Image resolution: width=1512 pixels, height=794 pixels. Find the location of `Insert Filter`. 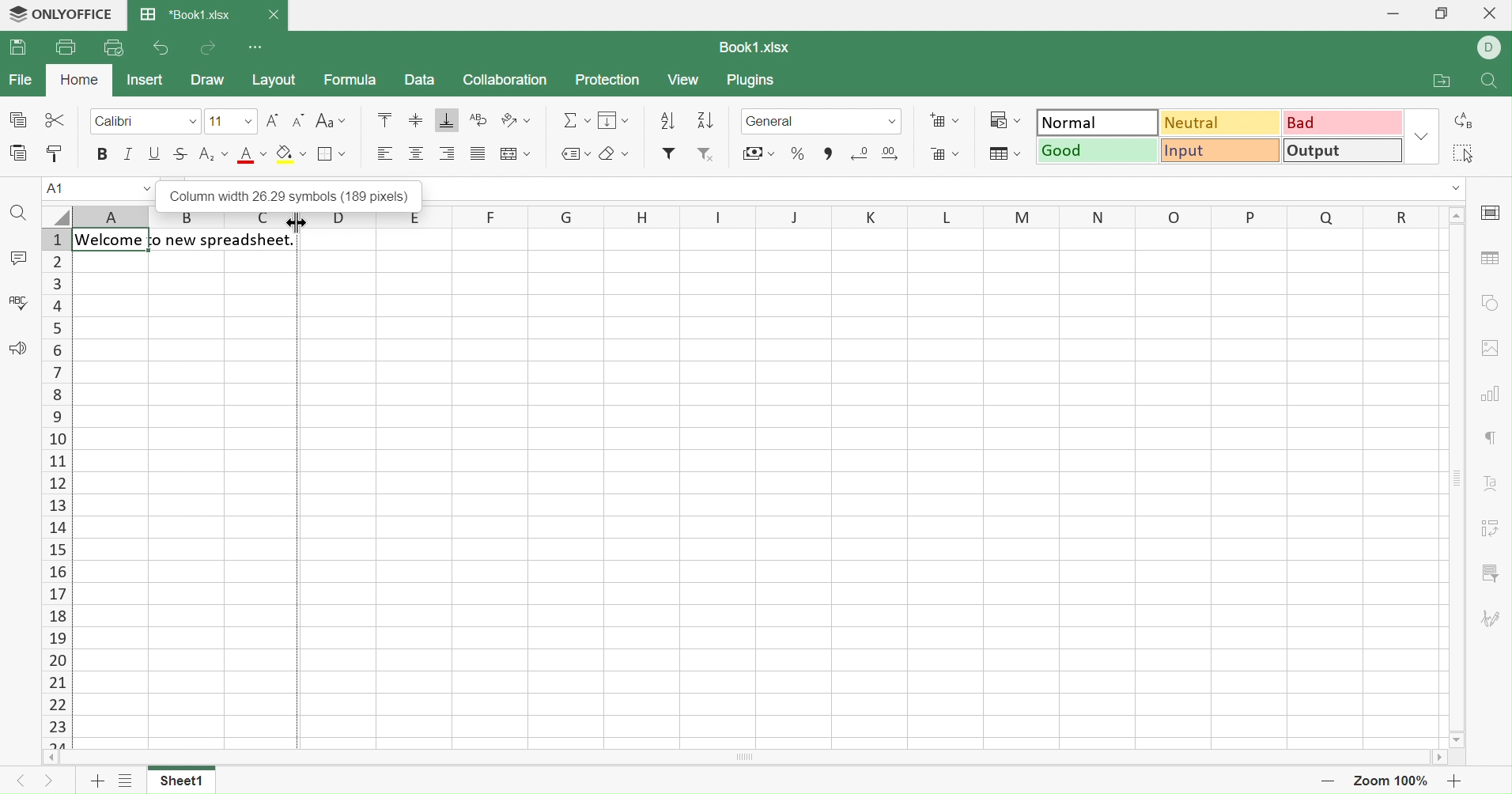

Insert Filter is located at coordinates (670, 153).